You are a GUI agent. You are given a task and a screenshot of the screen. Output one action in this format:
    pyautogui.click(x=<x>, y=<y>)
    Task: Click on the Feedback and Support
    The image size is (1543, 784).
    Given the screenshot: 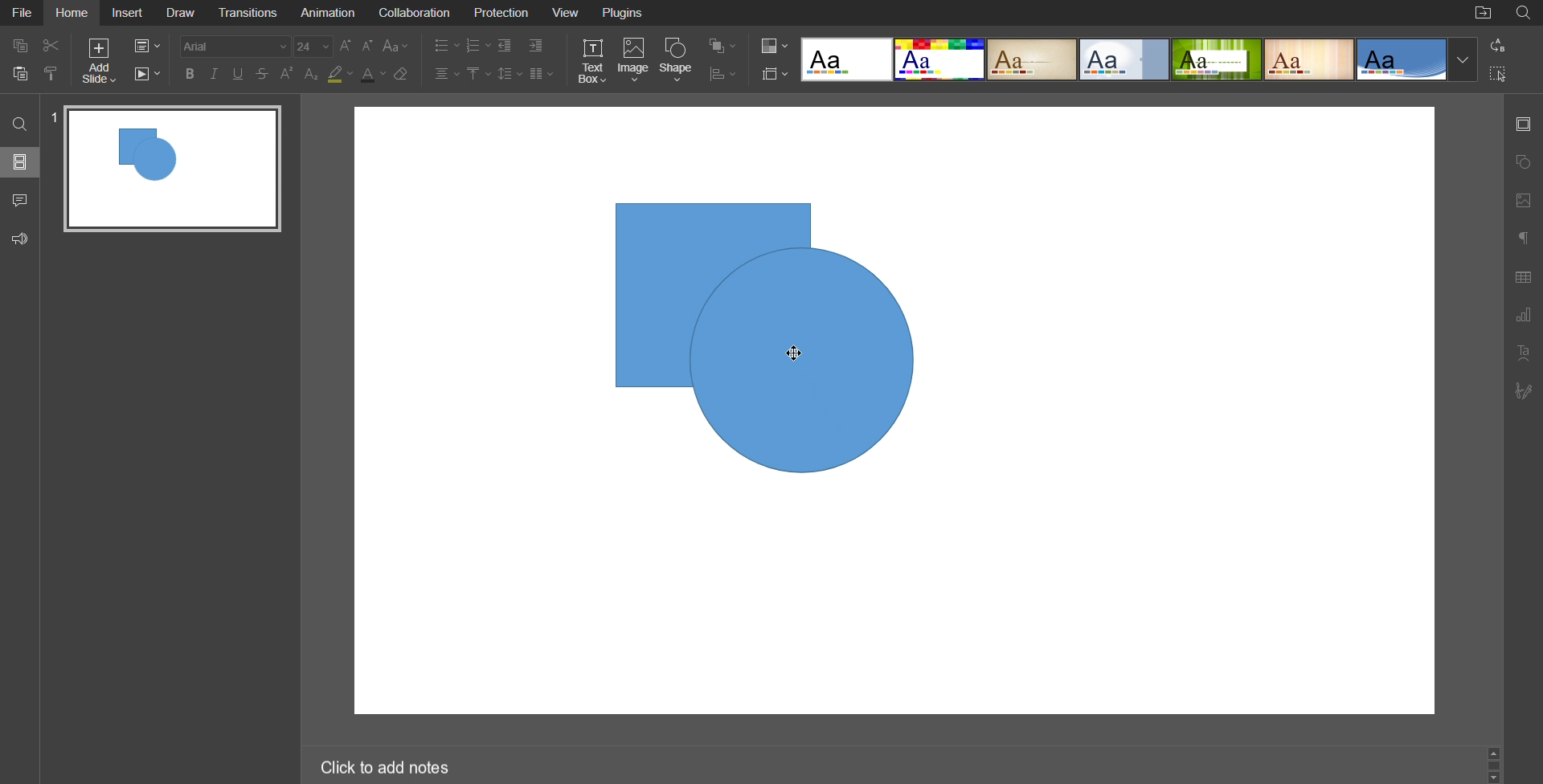 What is the action you would take?
    pyautogui.click(x=19, y=238)
    